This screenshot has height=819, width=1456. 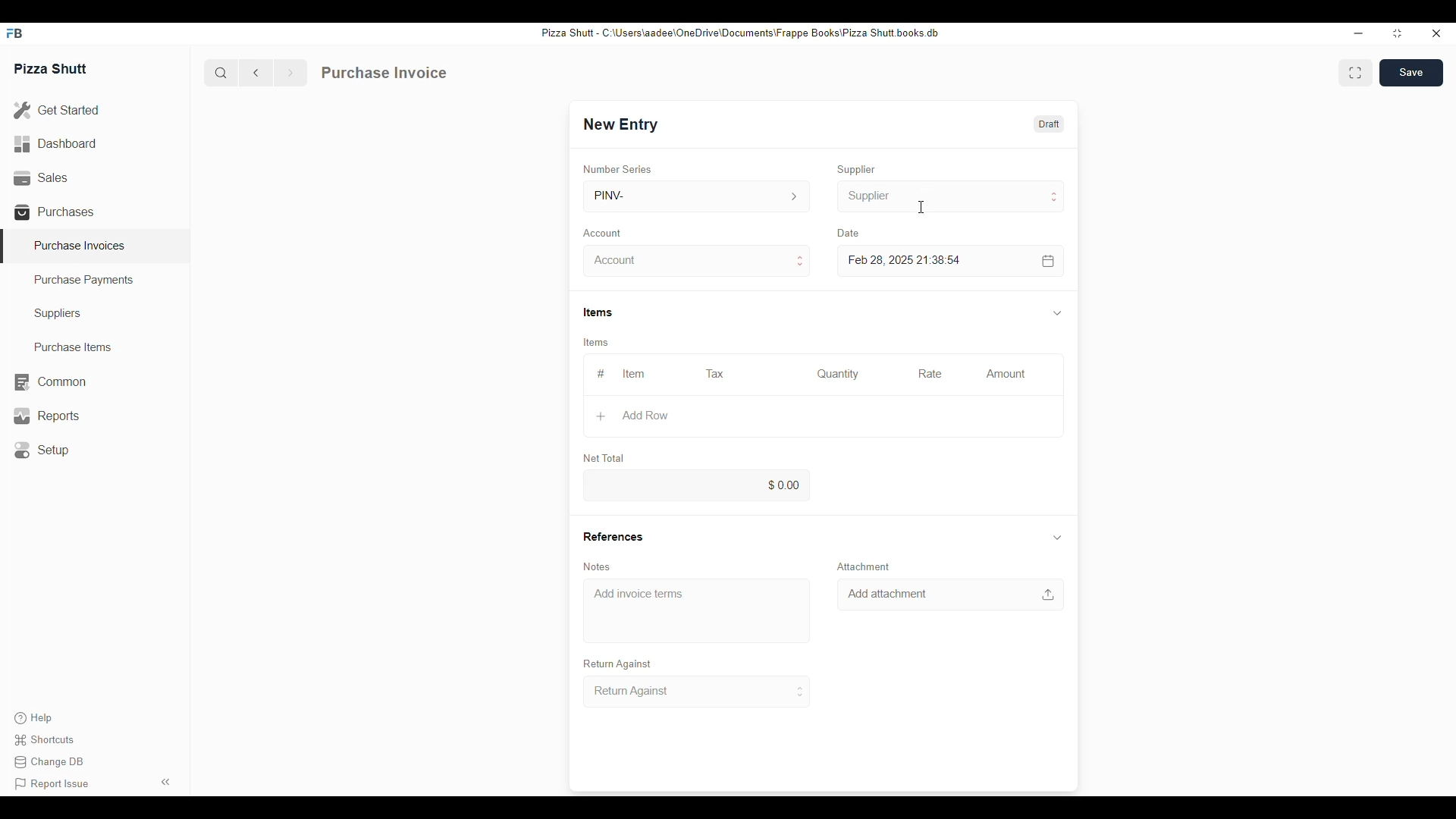 What do you see at coordinates (600, 374) in the screenshot?
I see `#` at bounding box center [600, 374].